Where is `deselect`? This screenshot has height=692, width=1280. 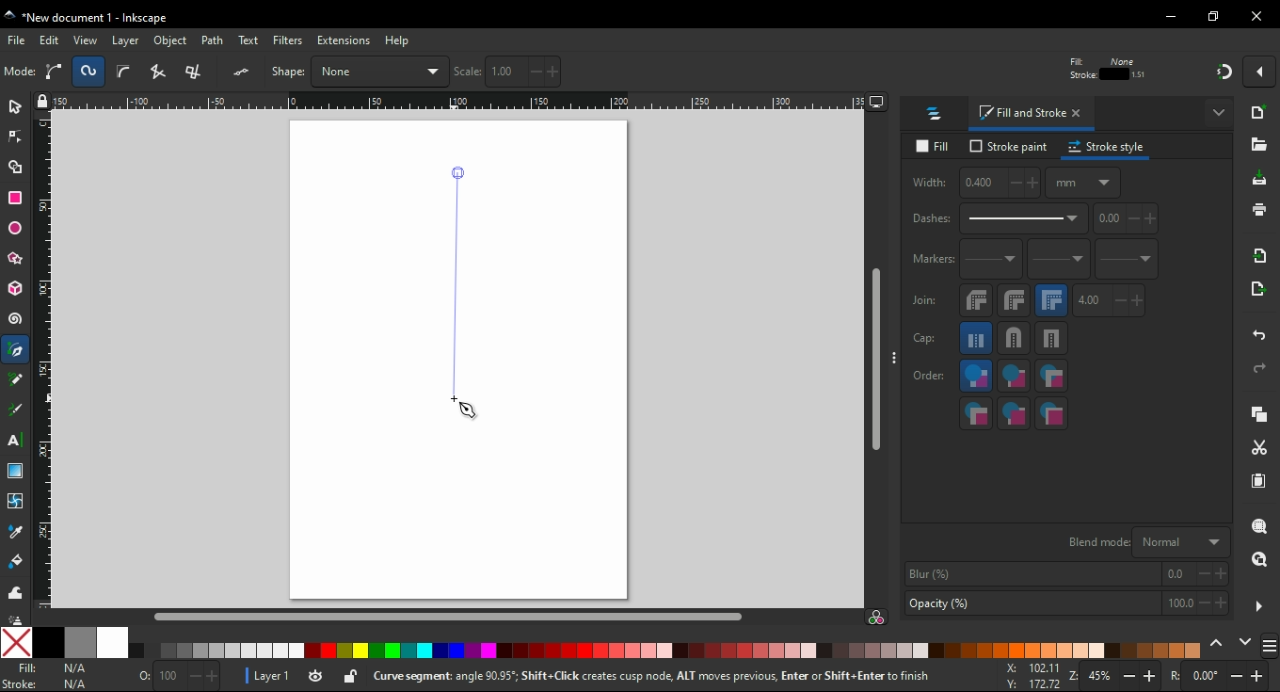
deselect is located at coordinates (91, 70).